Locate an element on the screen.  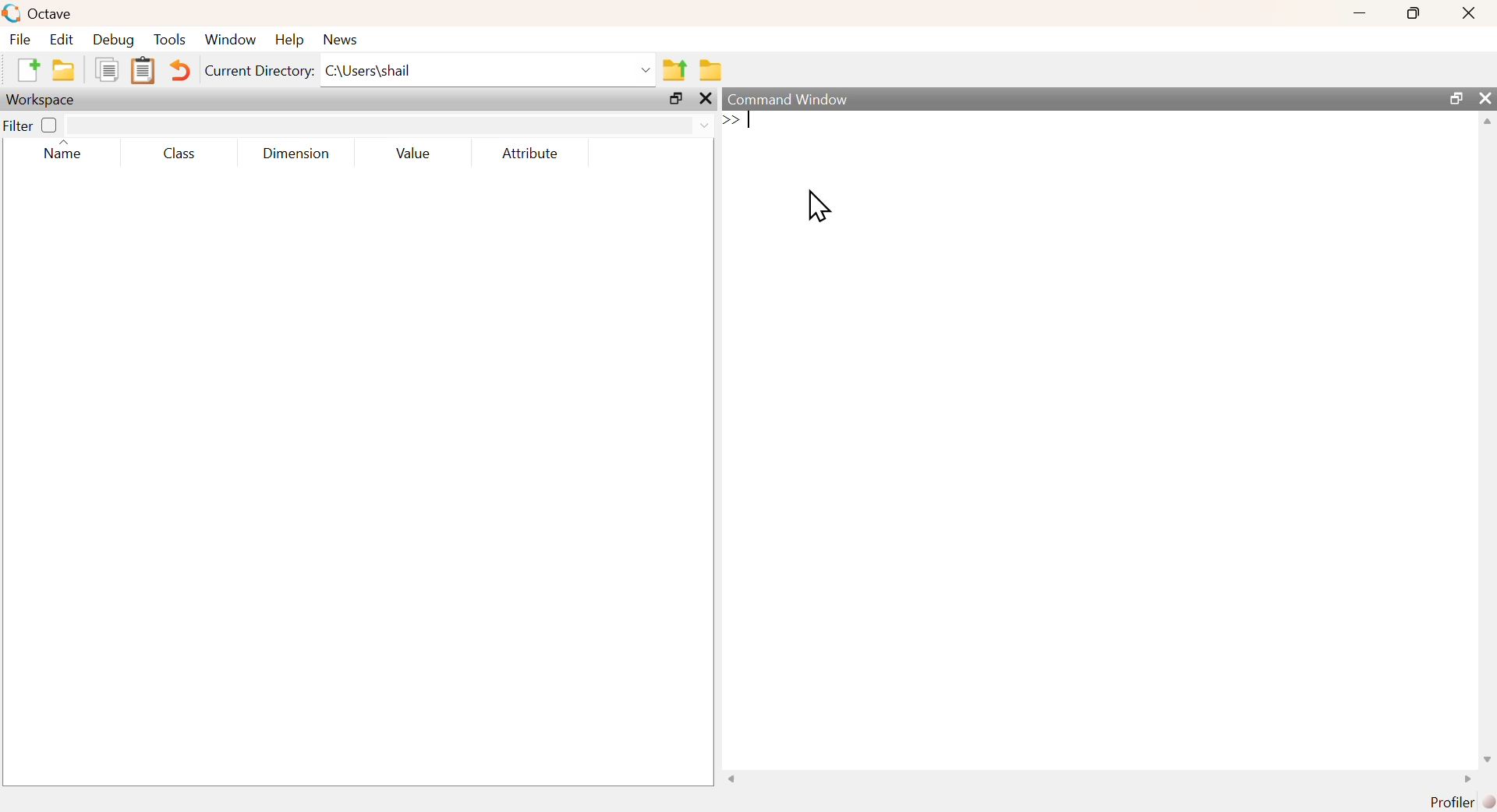
Logo is located at coordinates (12, 14).